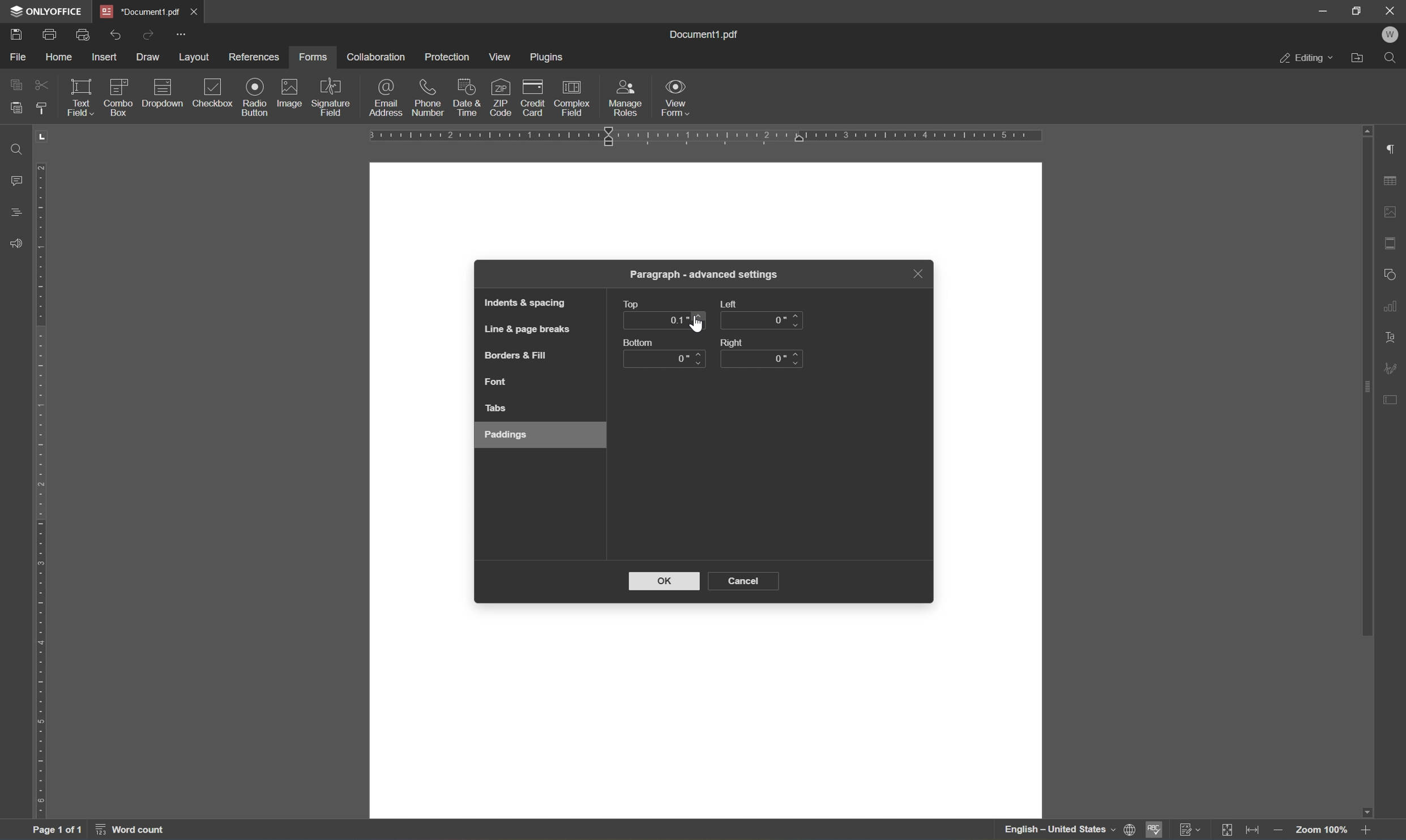  Describe the element at coordinates (549, 58) in the screenshot. I see `plugins` at that location.